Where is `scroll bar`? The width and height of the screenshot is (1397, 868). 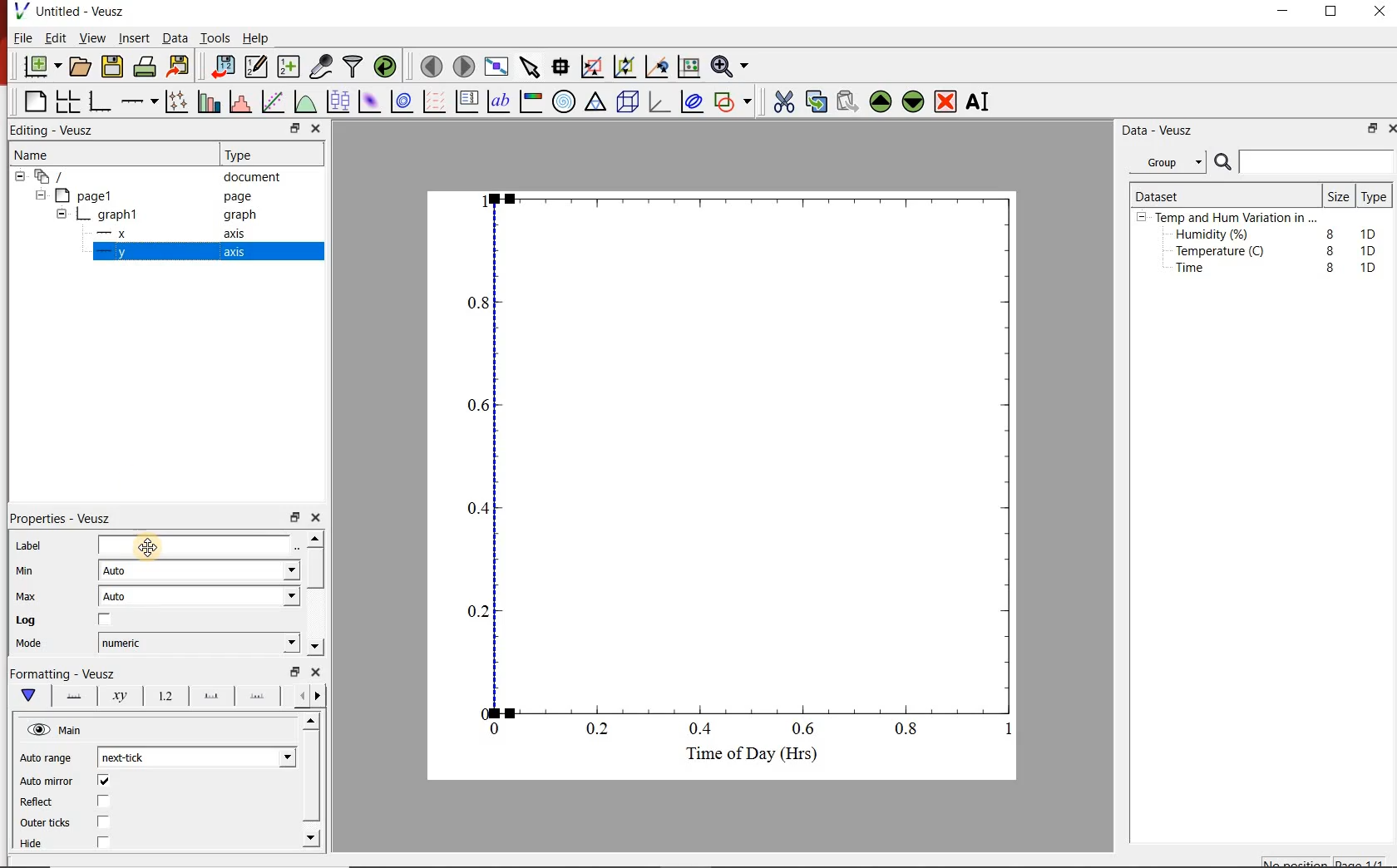 scroll bar is located at coordinates (318, 591).